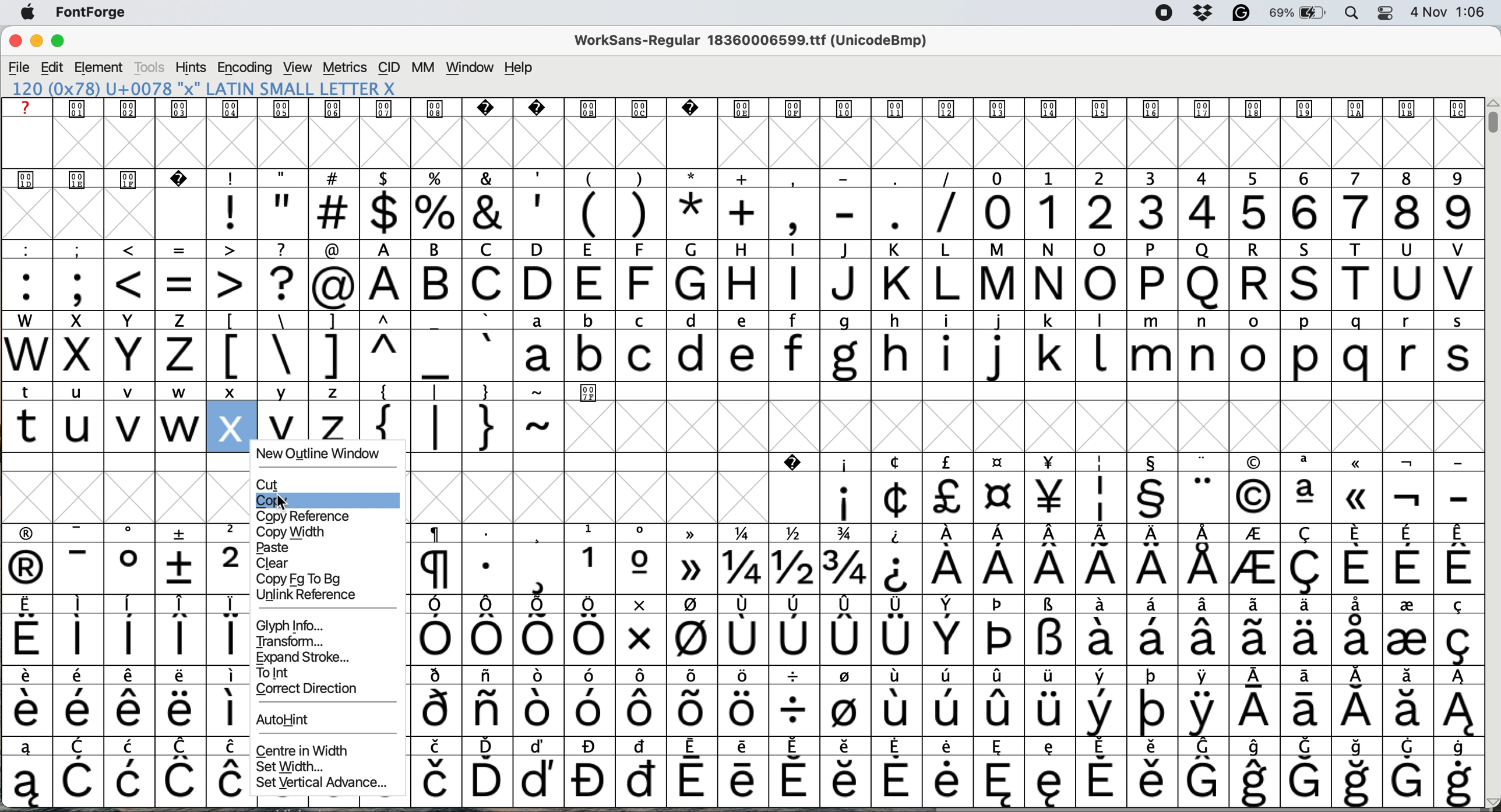  What do you see at coordinates (389, 68) in the screenshot?
I see `cid` at bounding box center [389, 68].